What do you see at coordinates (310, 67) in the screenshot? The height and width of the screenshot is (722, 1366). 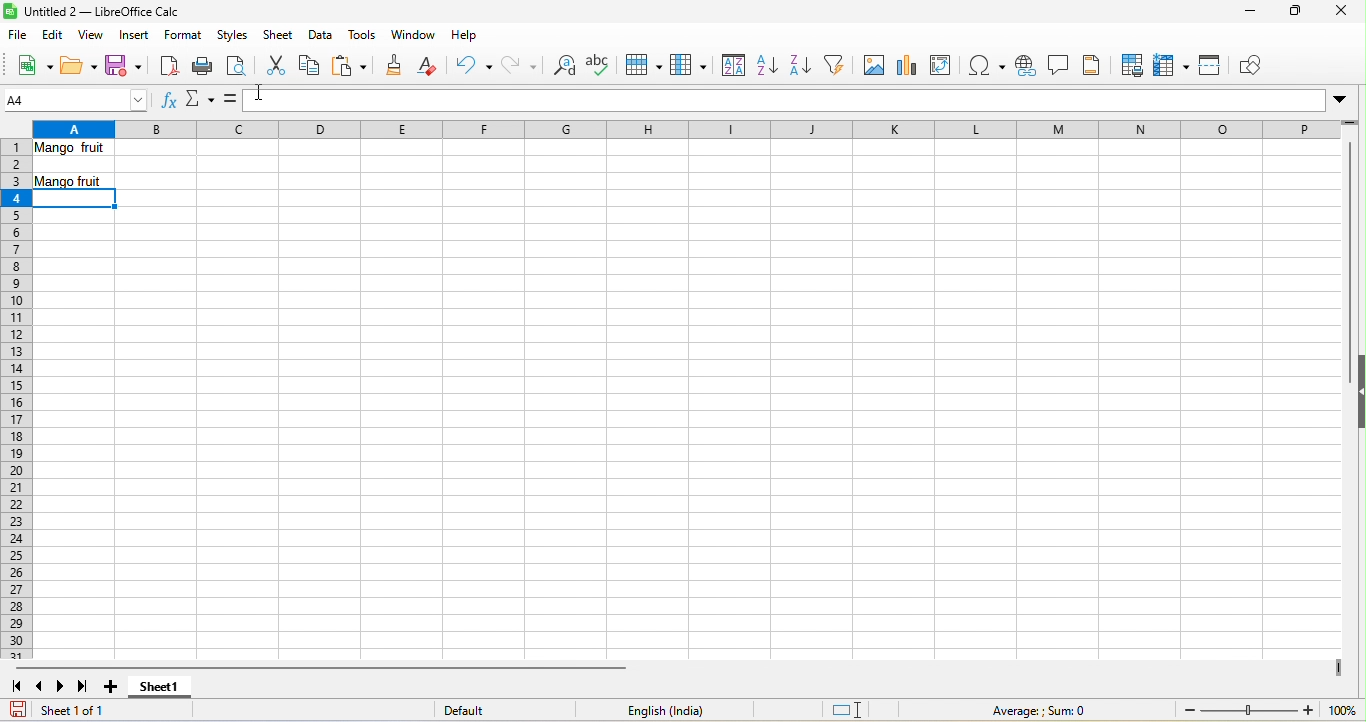 I see `copy` at bounding box center [310, 67].